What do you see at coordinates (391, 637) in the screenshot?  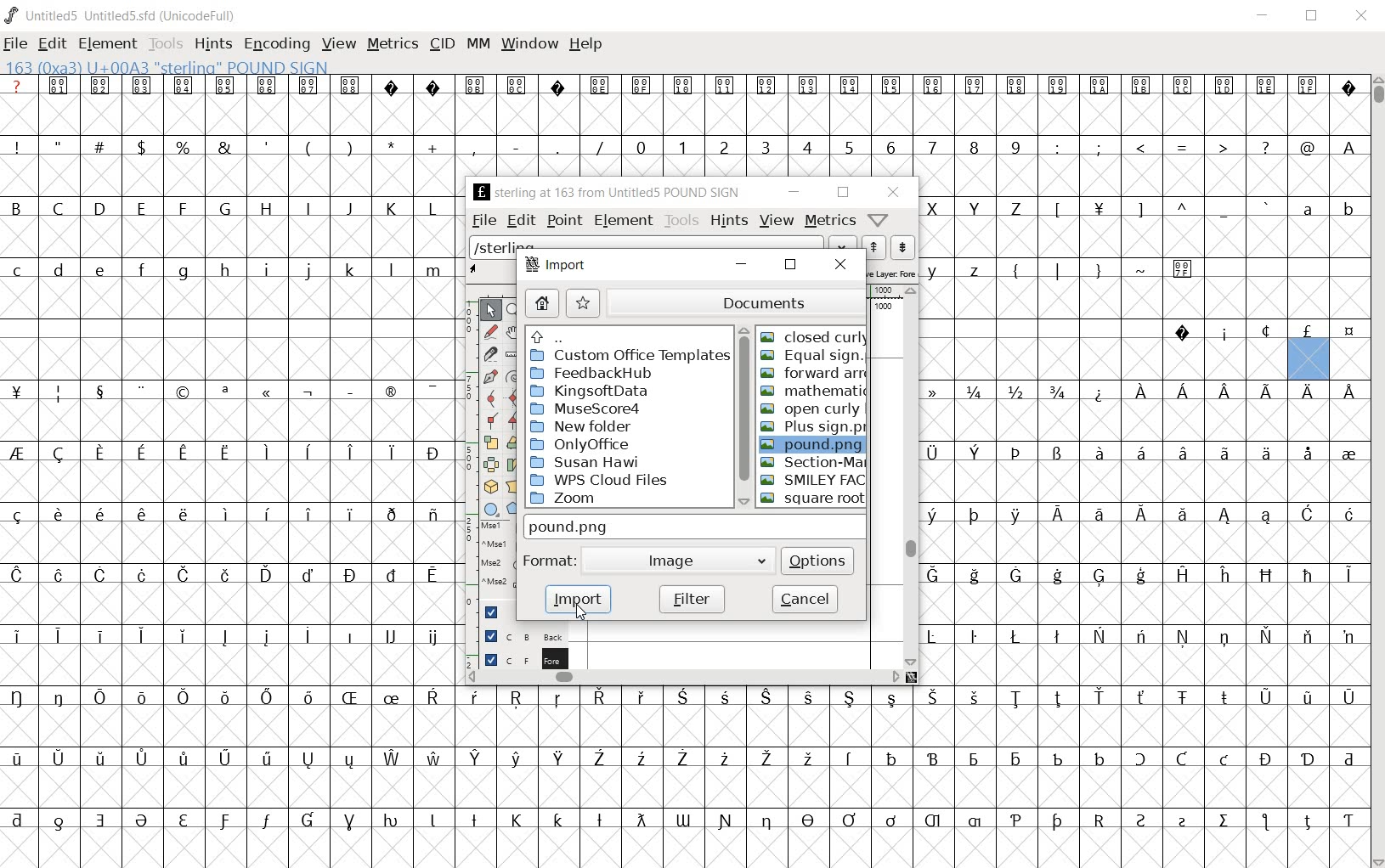 I see `Symbol` at bounding box center [391, 637].